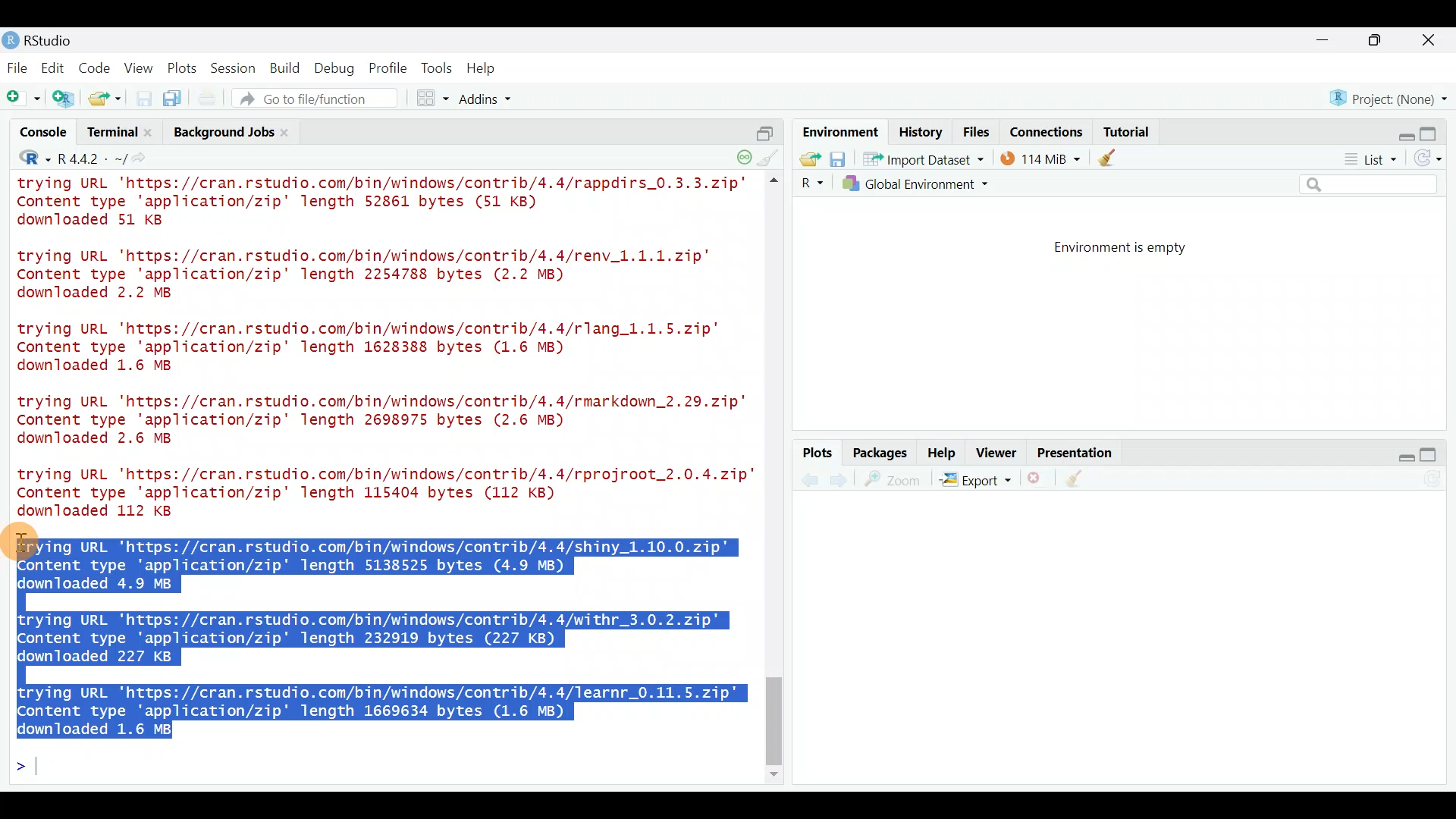  Describe the element at coordinates (27, 769) in the screenshot. I see `Line cursor` at that location.